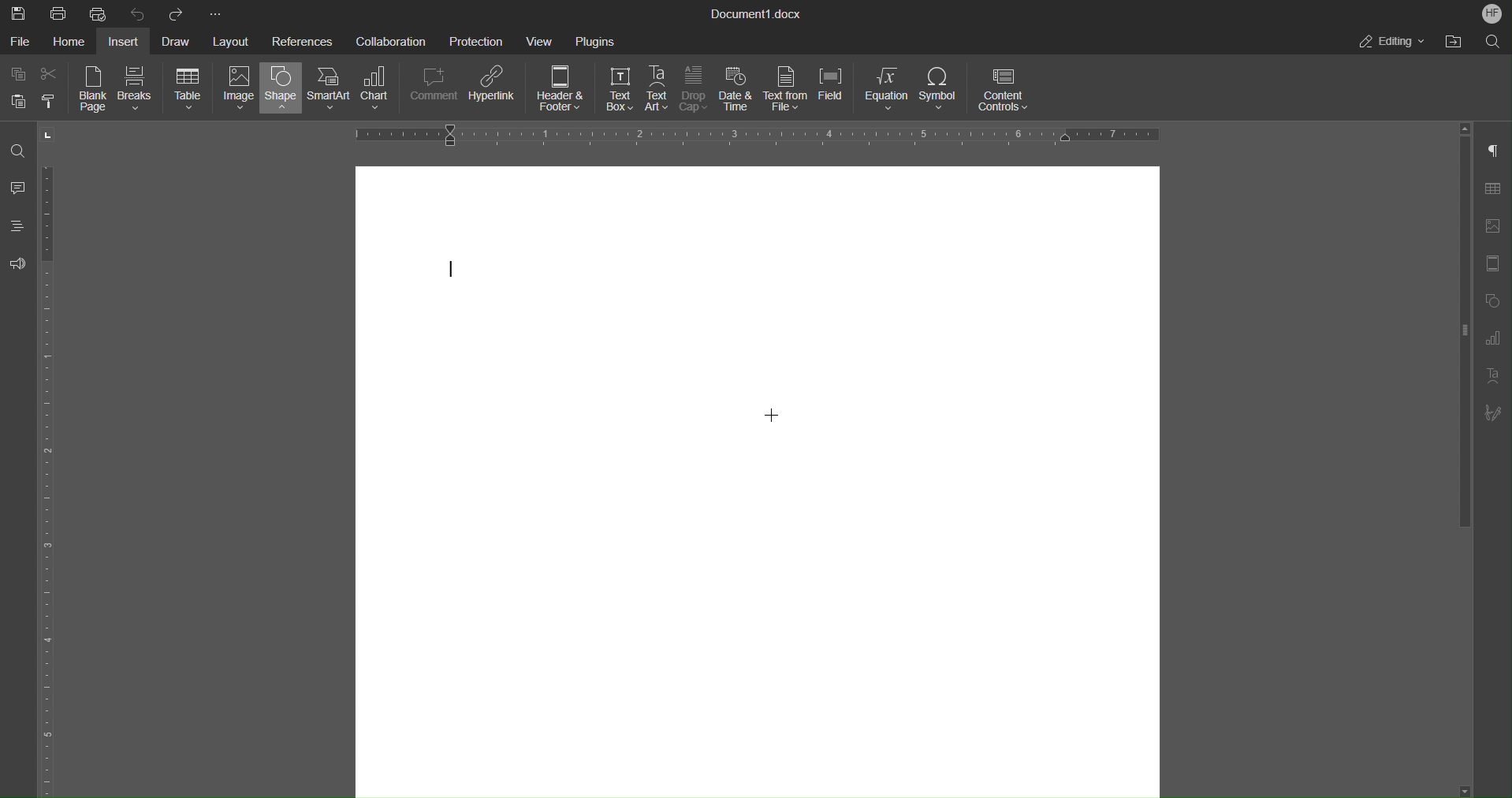 The width and height of the screenshot is (1512, 798). What do you see at coordinates (752, 136) in the screenshot?
I see `Horizonatl Ruler` at bounding box center [752, 136].